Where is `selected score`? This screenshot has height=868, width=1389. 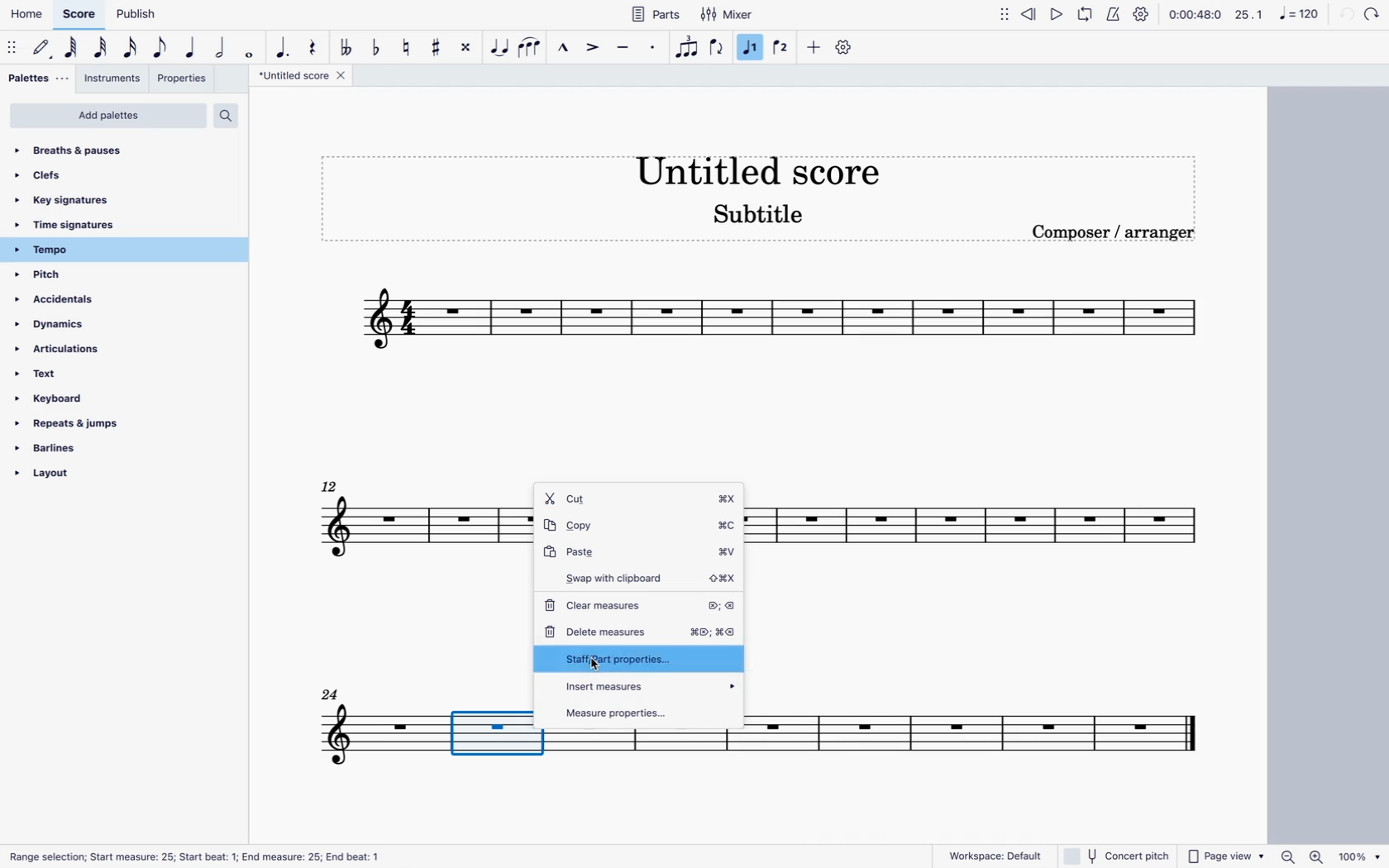
selected score is located at coordinates (497, 729).